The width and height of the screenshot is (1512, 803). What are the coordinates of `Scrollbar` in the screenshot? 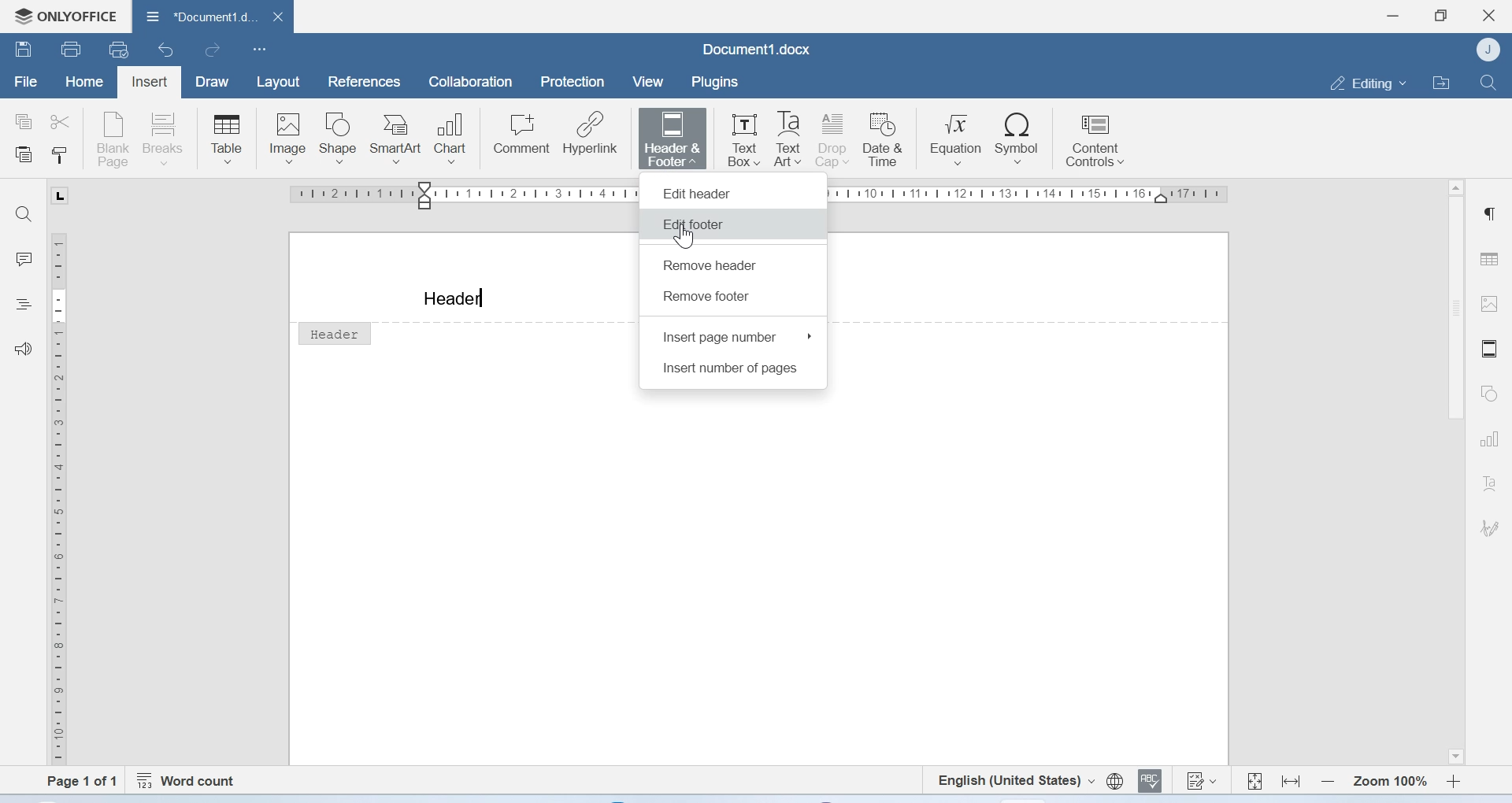 It's located at (1451, 314).